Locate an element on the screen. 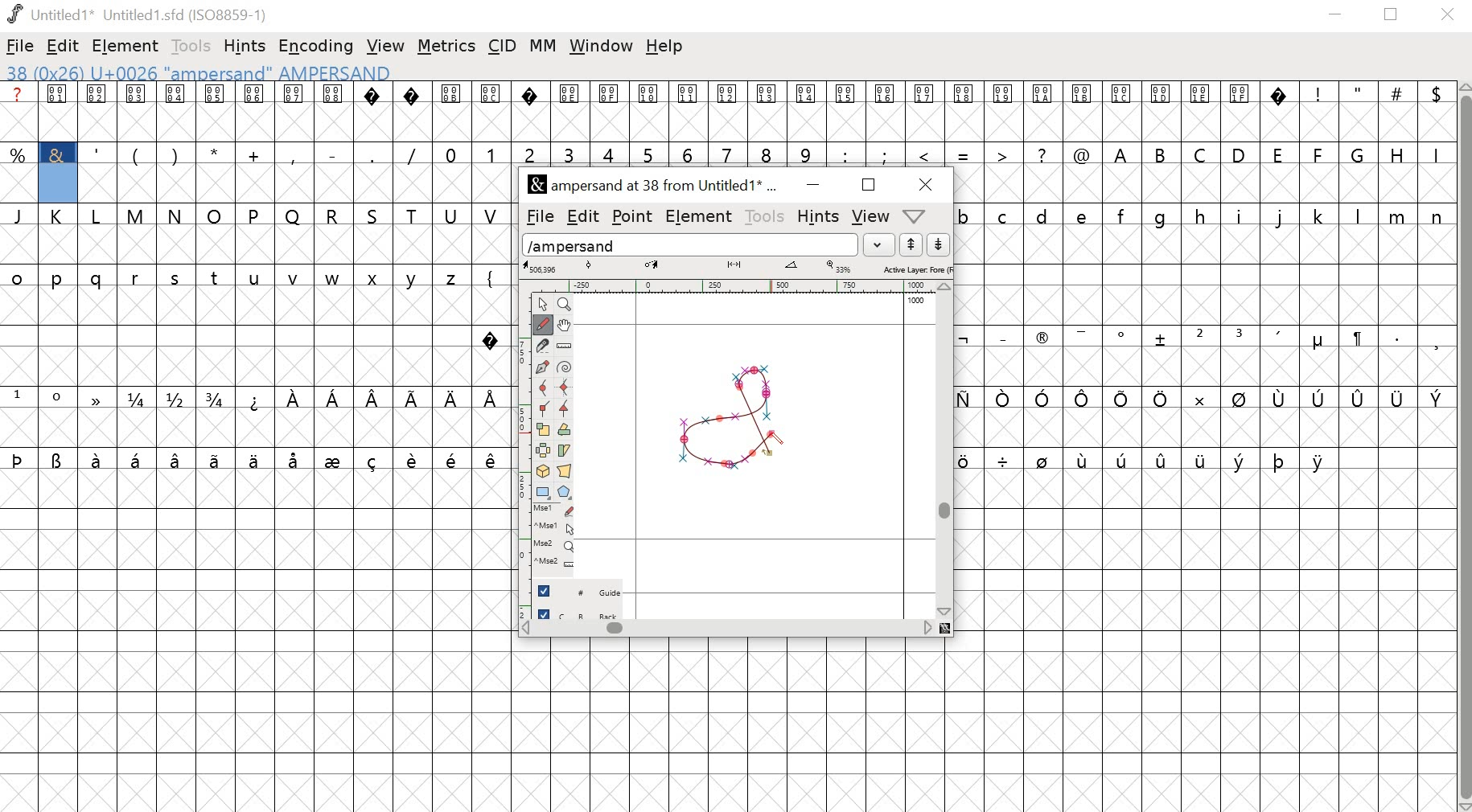 The width and height of the screenshot is (1472, 812). curve point coordinate is located at coordinates (589, 266).